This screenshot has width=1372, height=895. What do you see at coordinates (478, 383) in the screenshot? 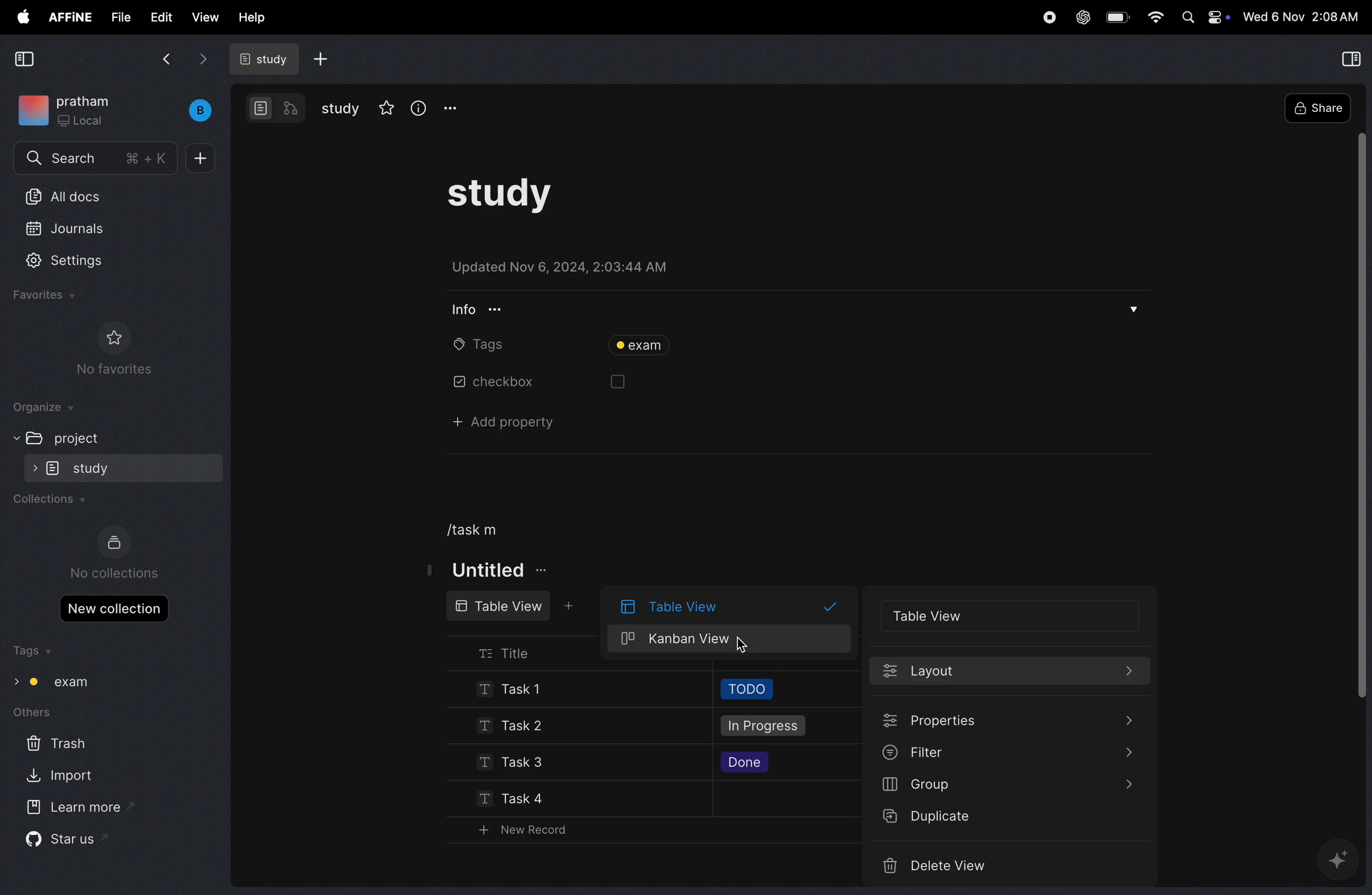
I see `chechbox` at bounding box center [478, 383].